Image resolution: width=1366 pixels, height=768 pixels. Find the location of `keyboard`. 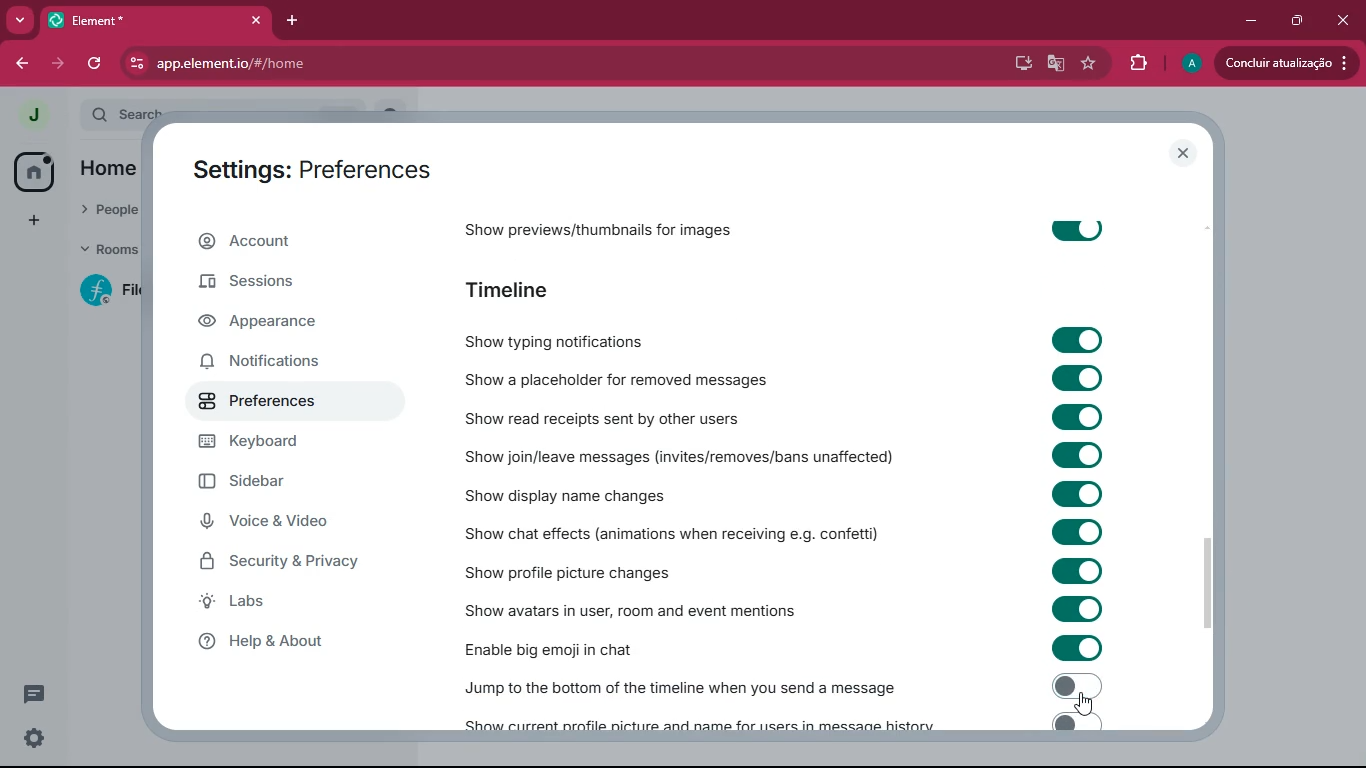

keyboard is located at coordinates (276, 445).